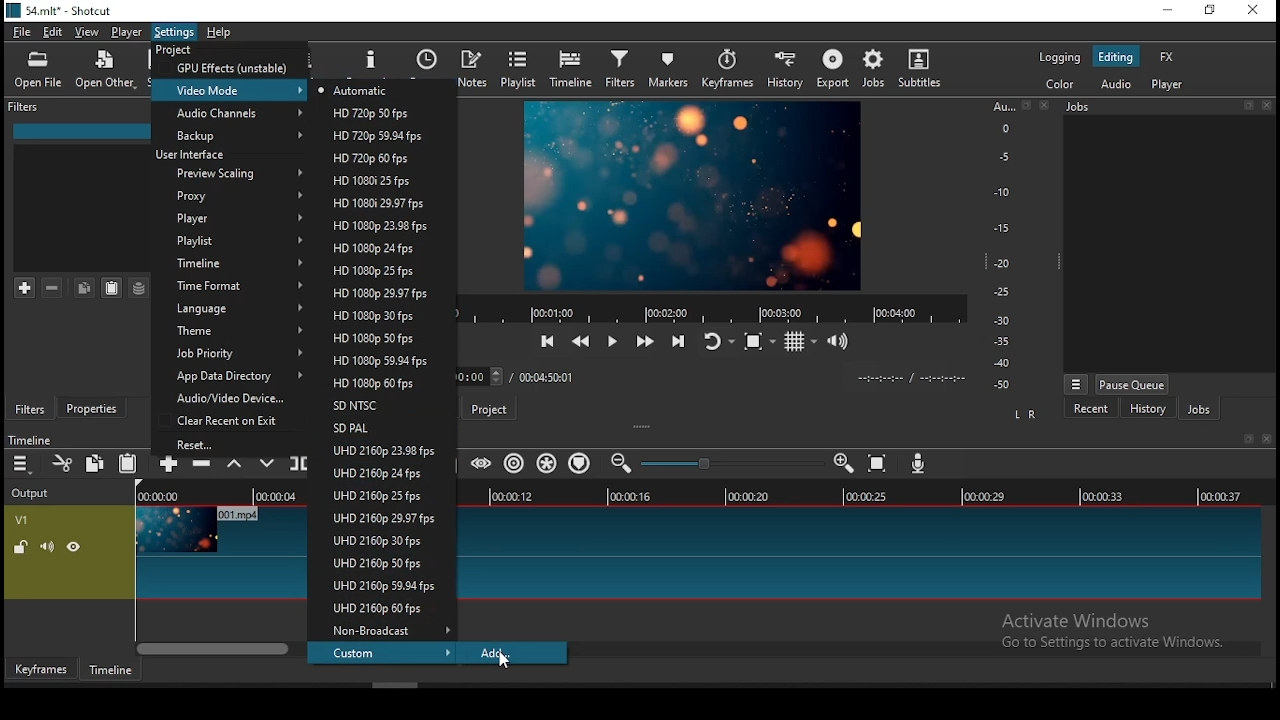  Describe the element at coordinates (383, 337) in the screenshot. I see `resolution option` at that location.